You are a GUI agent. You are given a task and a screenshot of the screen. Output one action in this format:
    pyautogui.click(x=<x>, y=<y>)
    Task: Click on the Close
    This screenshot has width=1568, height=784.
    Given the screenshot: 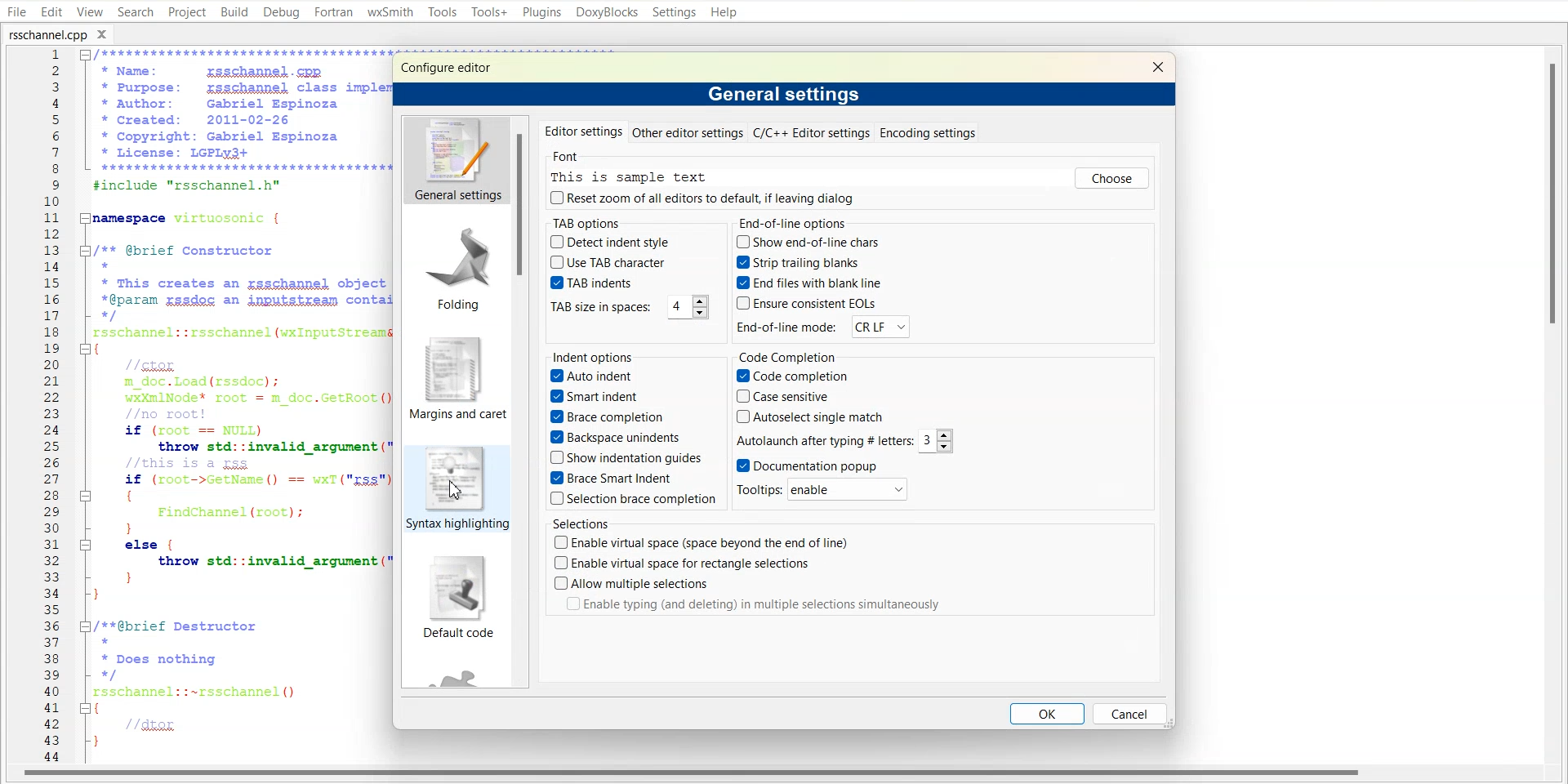 What is the action you would take?
    pyautogui.click(x=107, y=33)
    